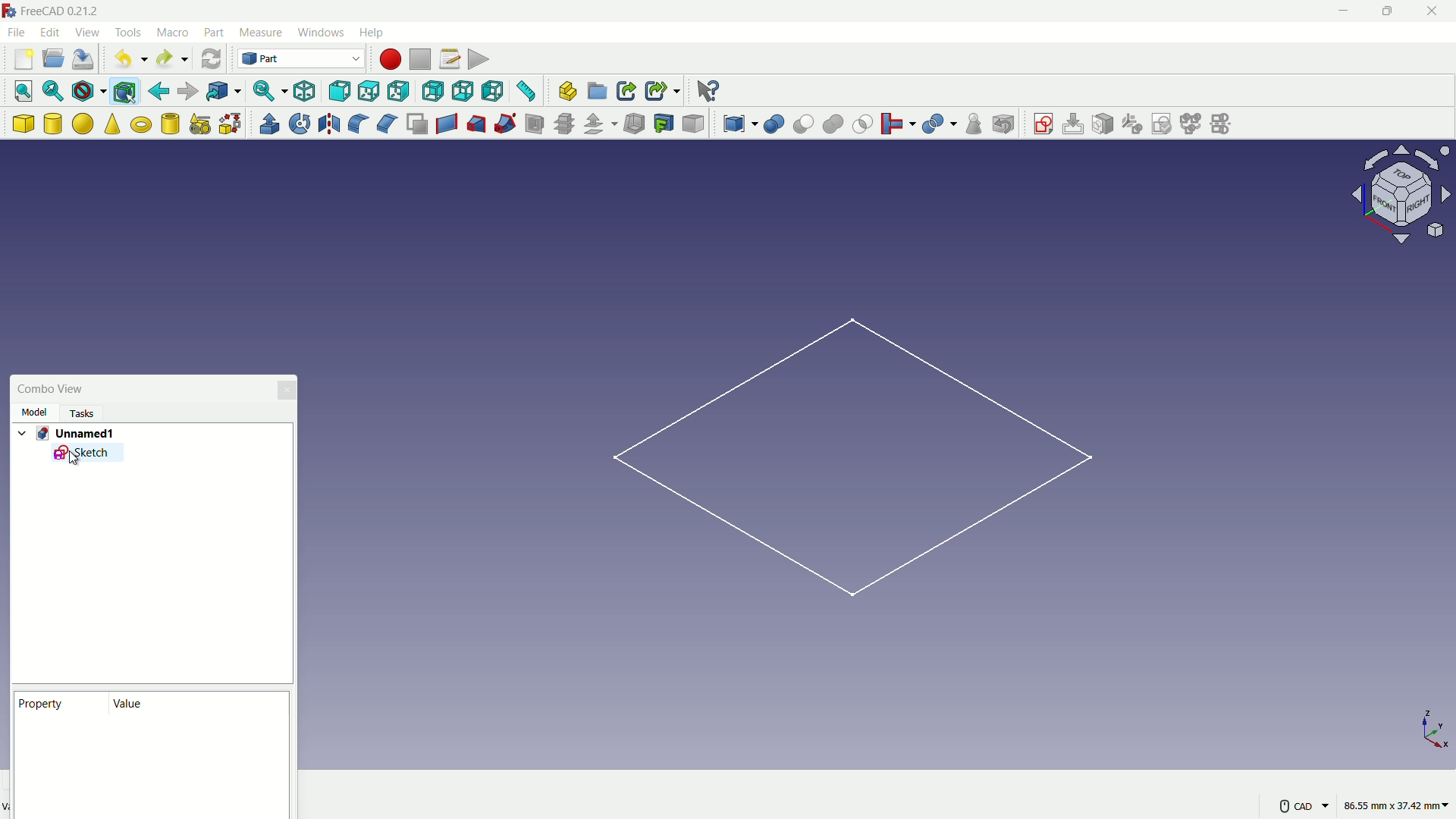 Image resolution: width=1456 pixels, height=819 pixels. I want to click on X,Y and Z axis, so click(1425, 730).